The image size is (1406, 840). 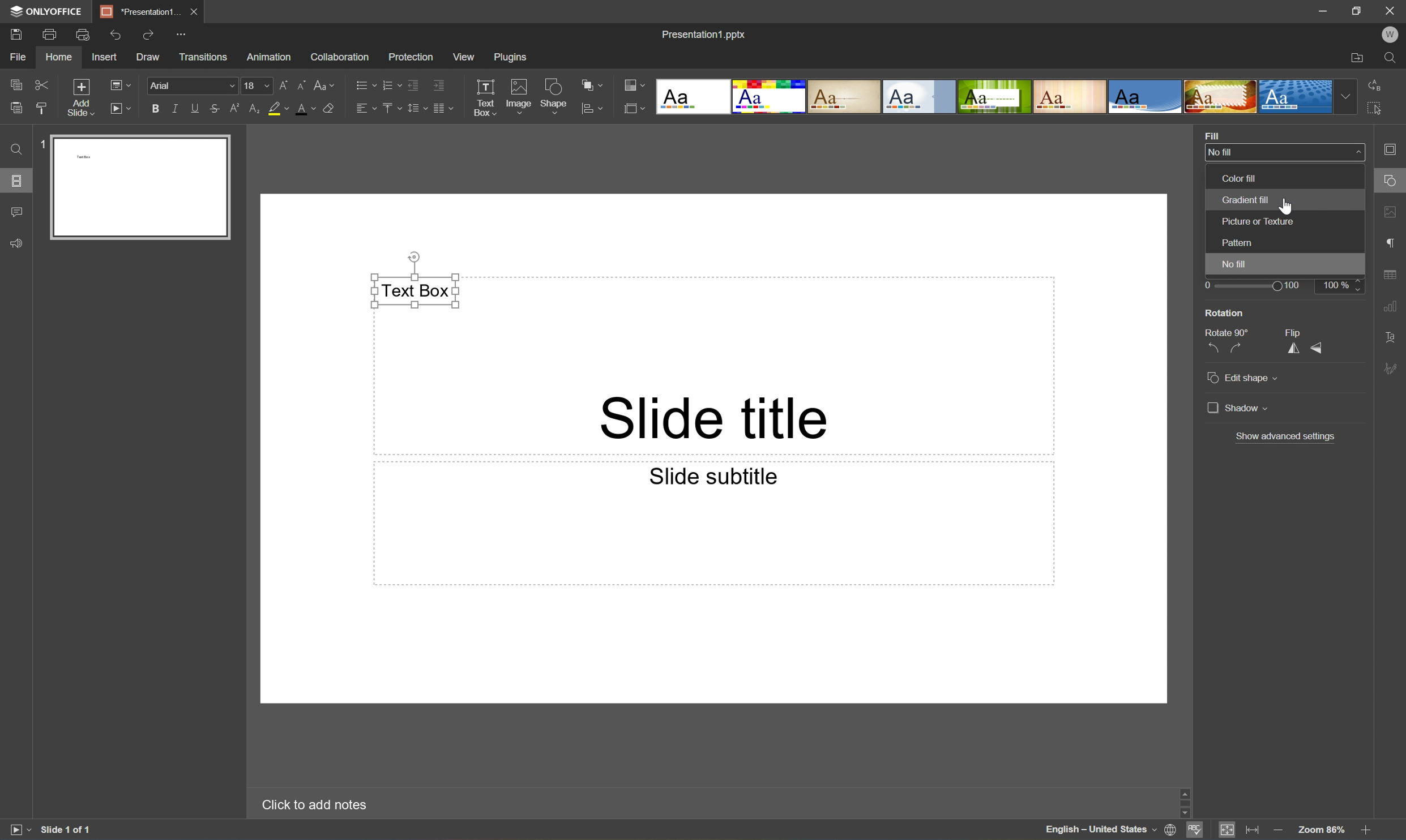 I want to click on Vertically align, so click(x=390, y=110).